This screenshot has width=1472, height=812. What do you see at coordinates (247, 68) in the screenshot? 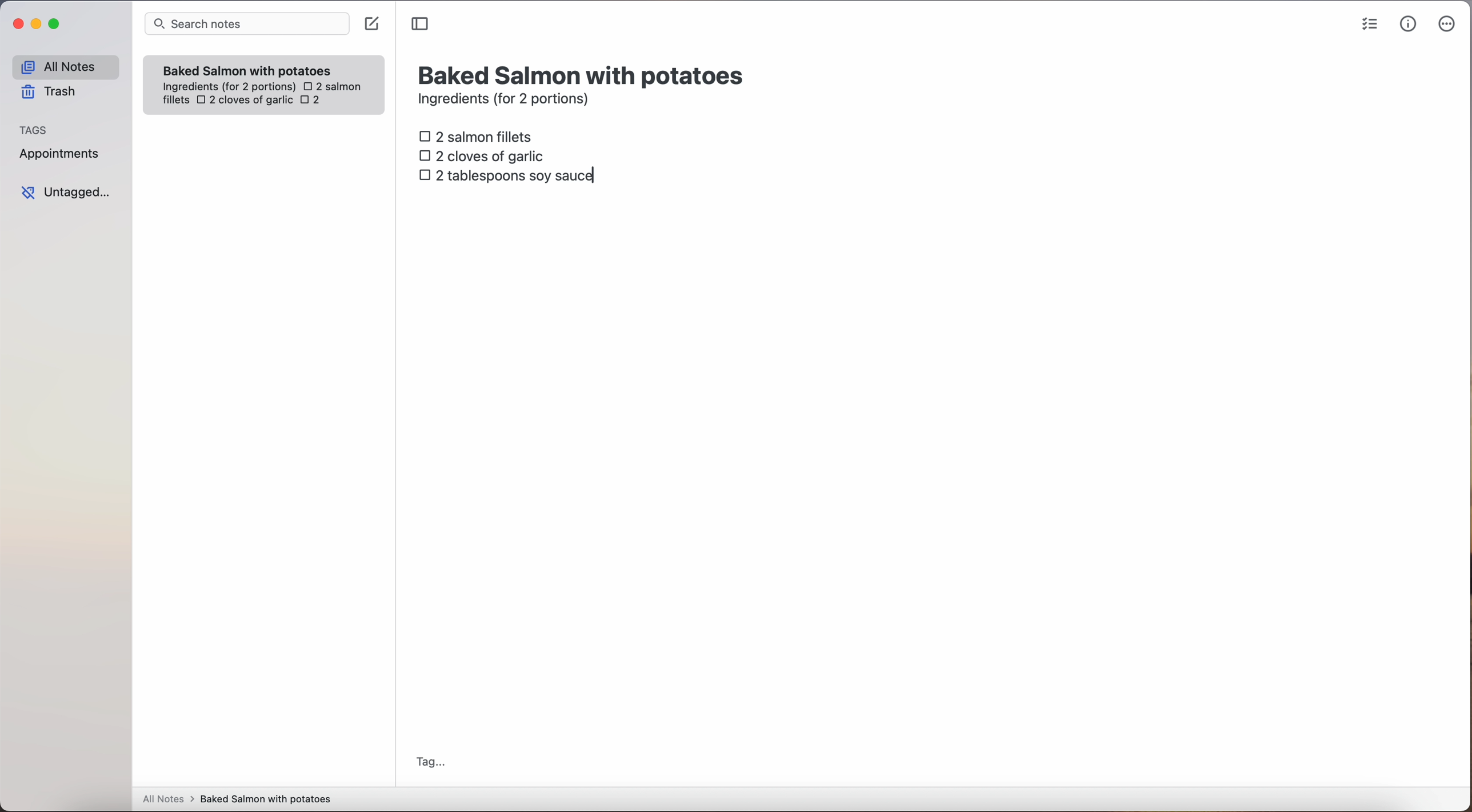
I see `Baked Salmon with potatoes` at bounding box center [247, 68].